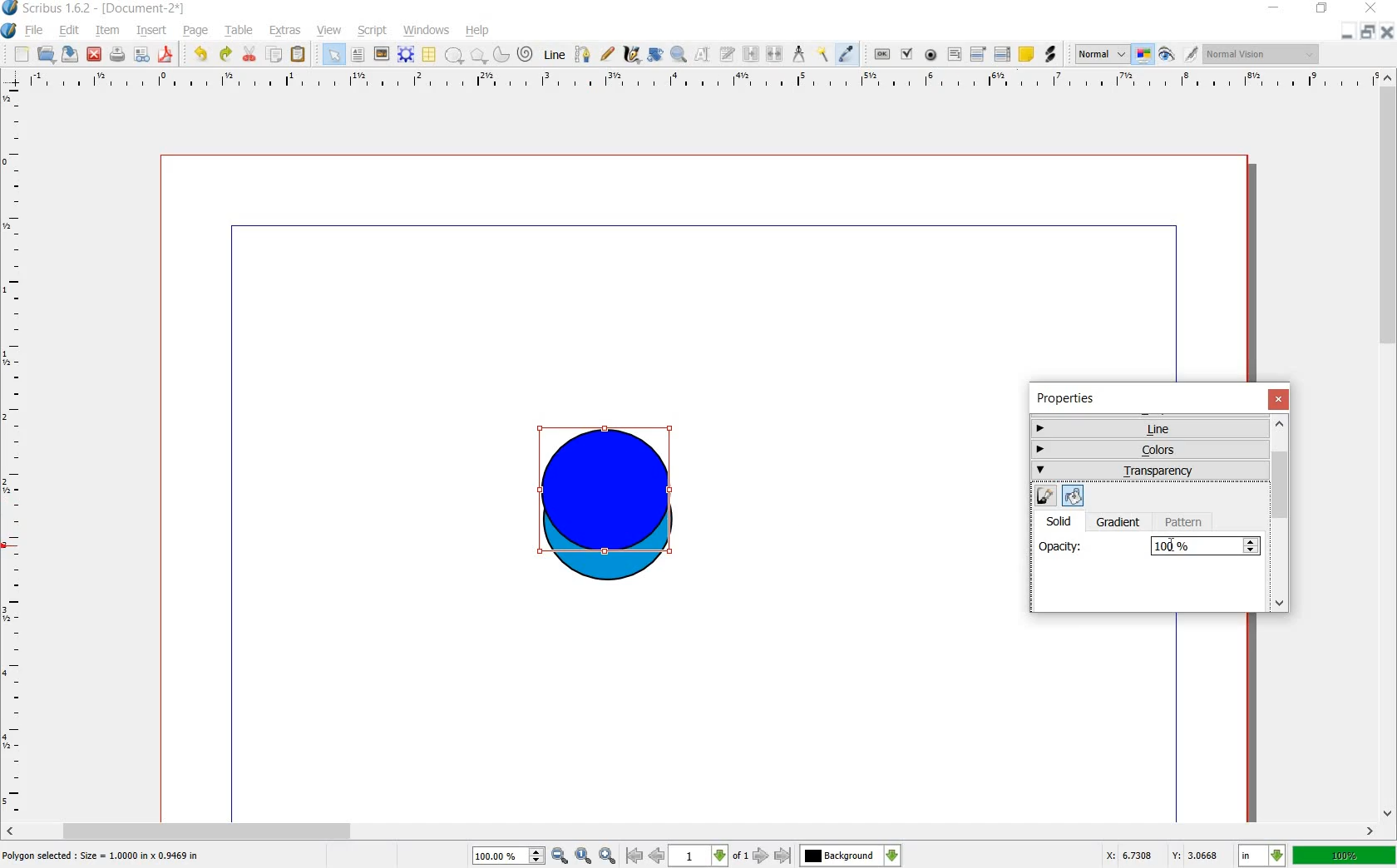  What do you see at coordinates (8, 31) in the screenshot?
I see `system logo` at bounding box center [8, 31].